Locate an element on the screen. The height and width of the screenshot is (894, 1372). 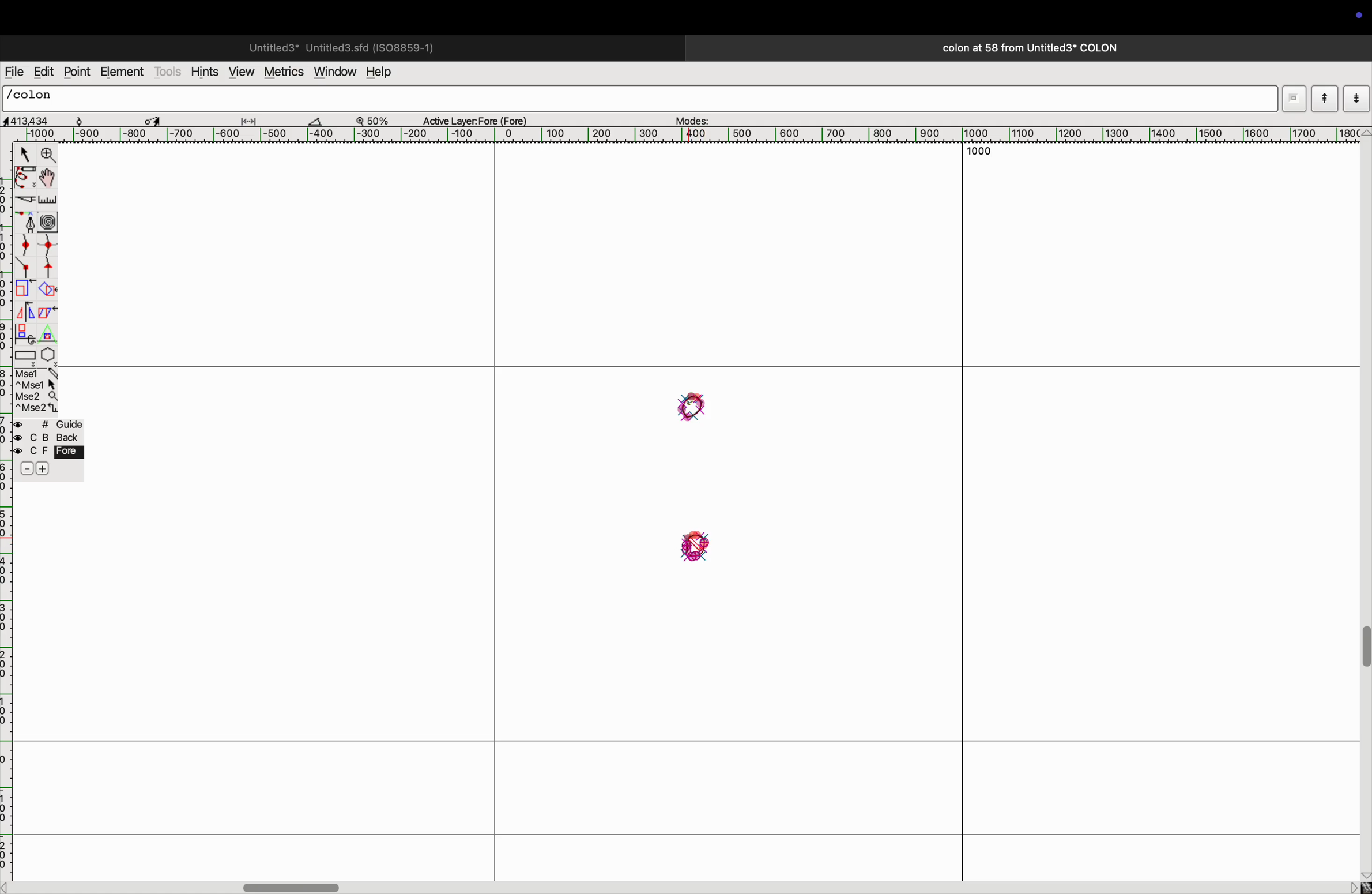
scale is located at coordinates (48, 201).